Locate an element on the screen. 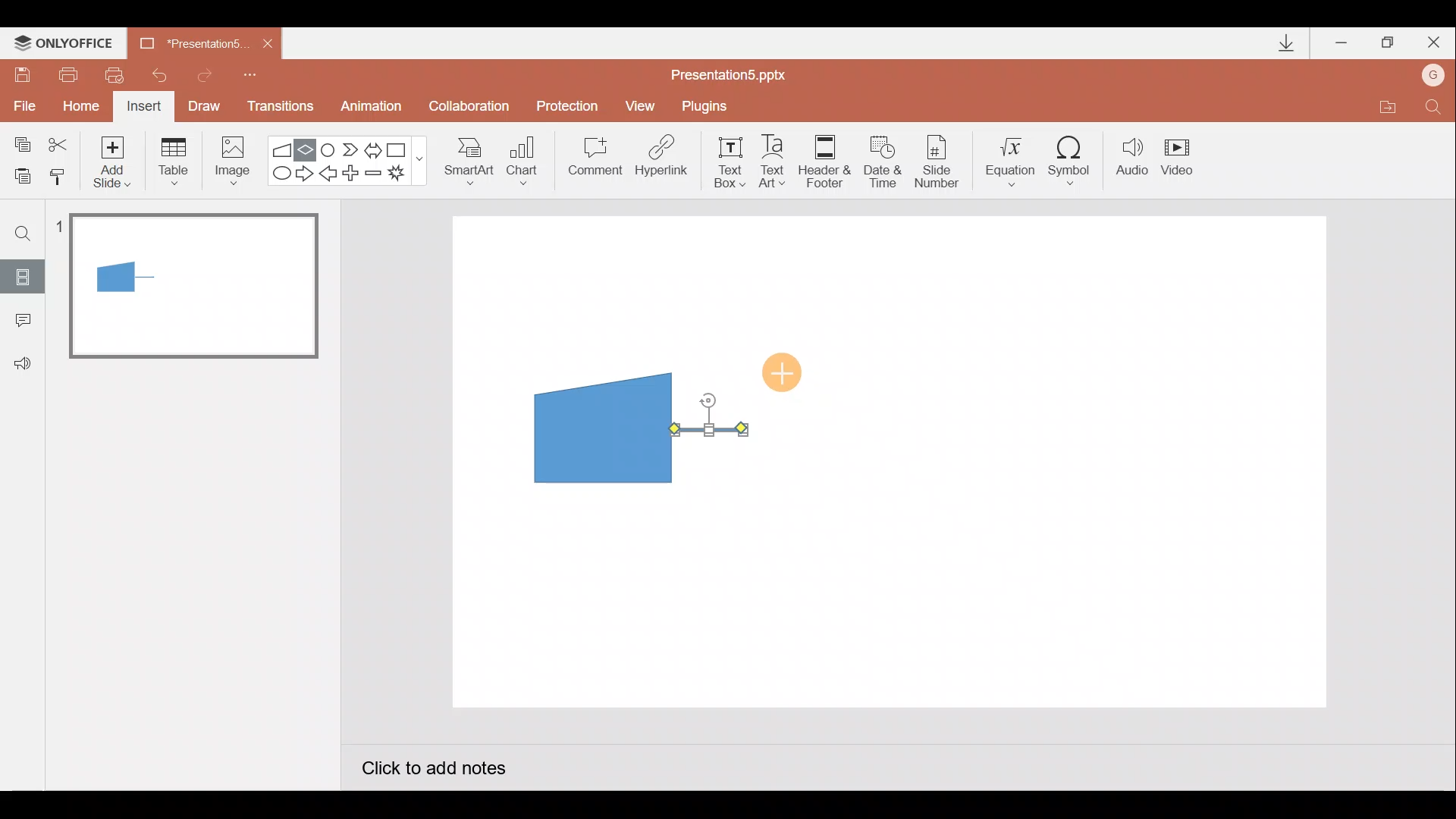 This screenshot has width=1456, height=819. Left right arrow is located at coordinates (375, 147).